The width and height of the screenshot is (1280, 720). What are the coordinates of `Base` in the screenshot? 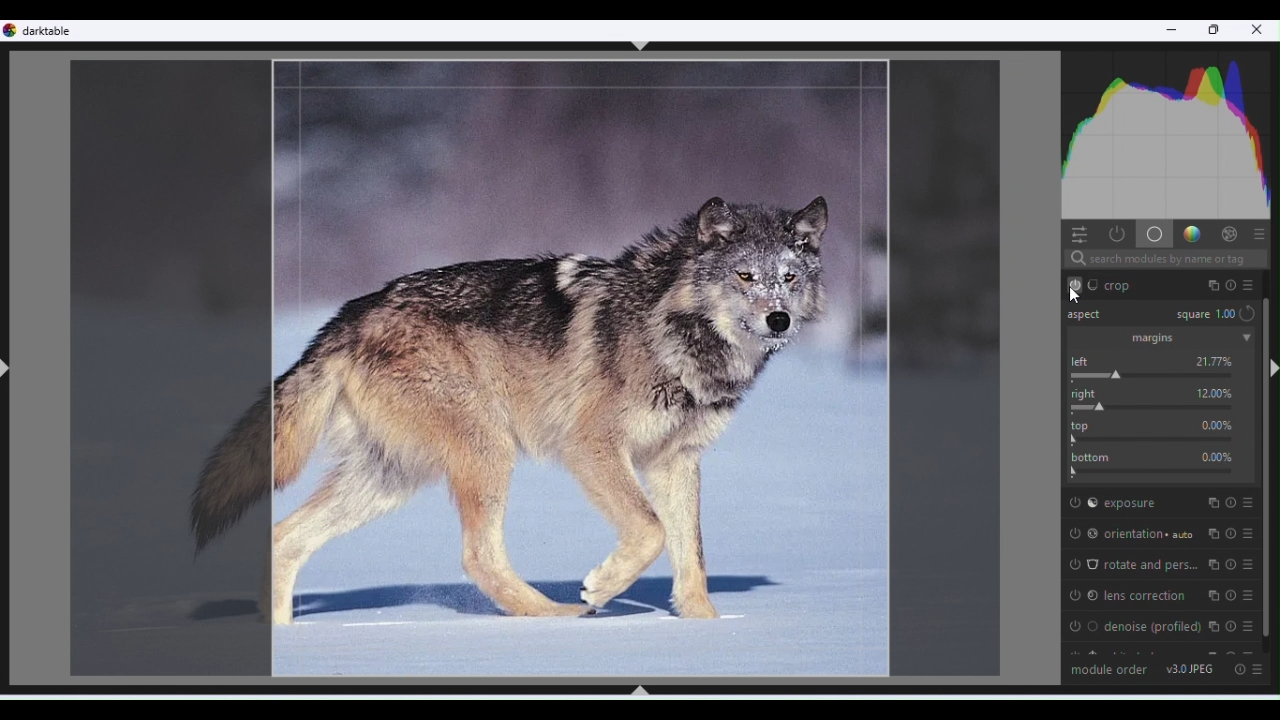 It's located at (1153, 233).